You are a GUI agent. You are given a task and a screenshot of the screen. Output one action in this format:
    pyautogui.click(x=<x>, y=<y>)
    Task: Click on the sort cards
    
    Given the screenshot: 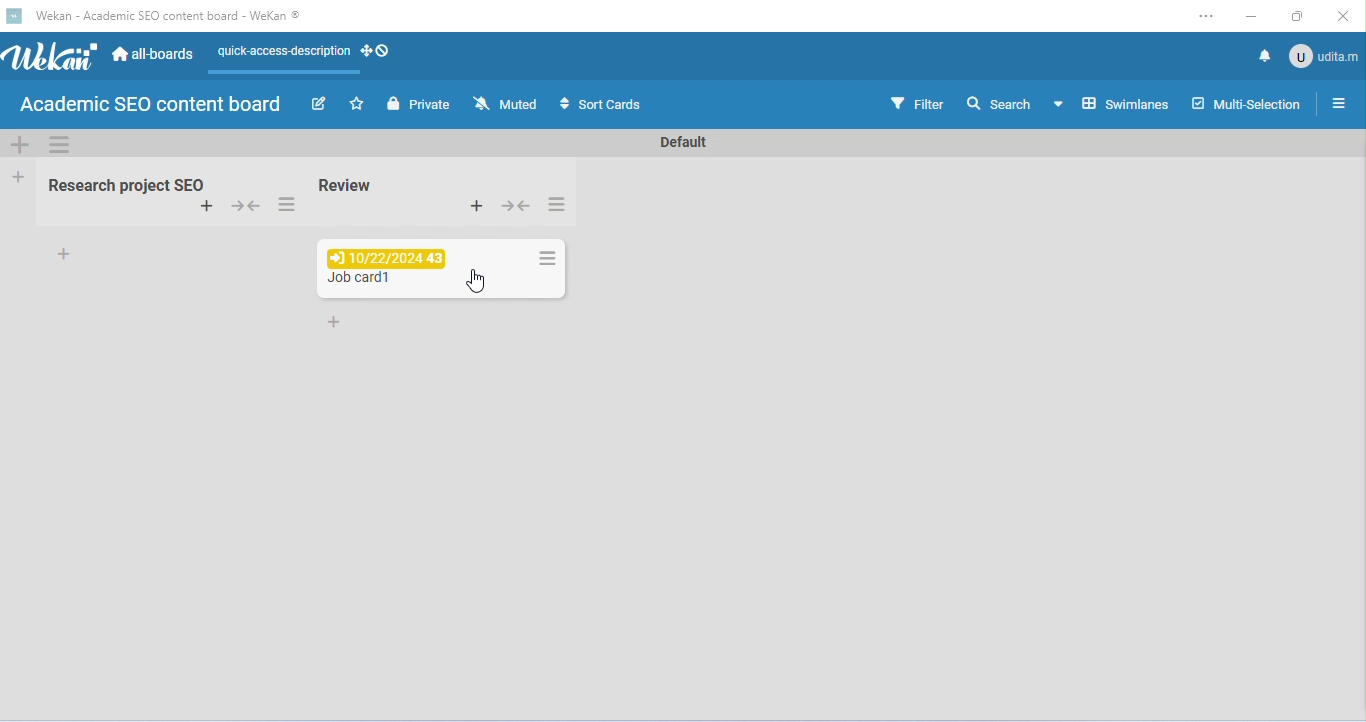 What is the action you would take?
    pyautogui.click(x=598, y=105)
    